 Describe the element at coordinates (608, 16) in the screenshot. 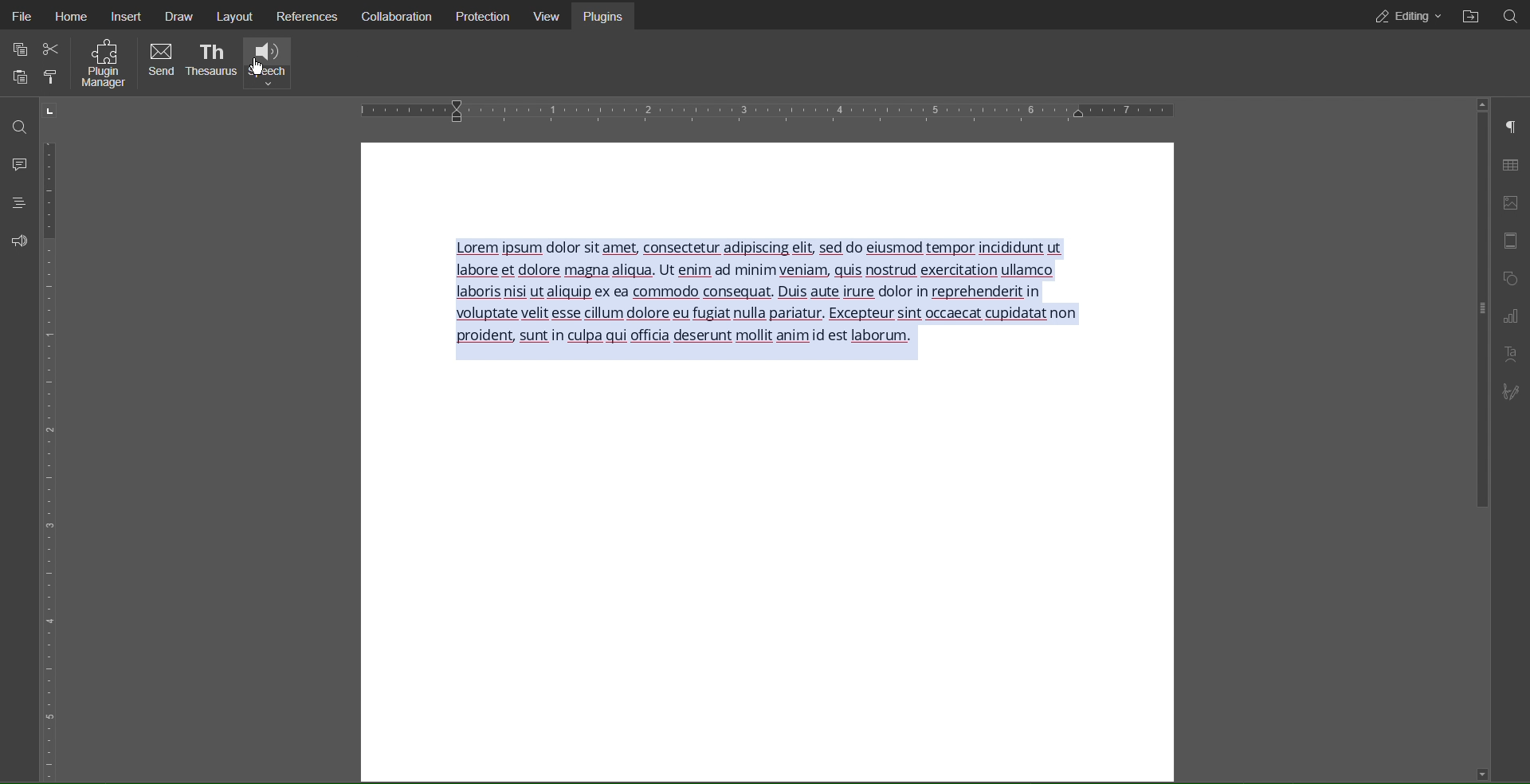

I see `Plugins` at that location.